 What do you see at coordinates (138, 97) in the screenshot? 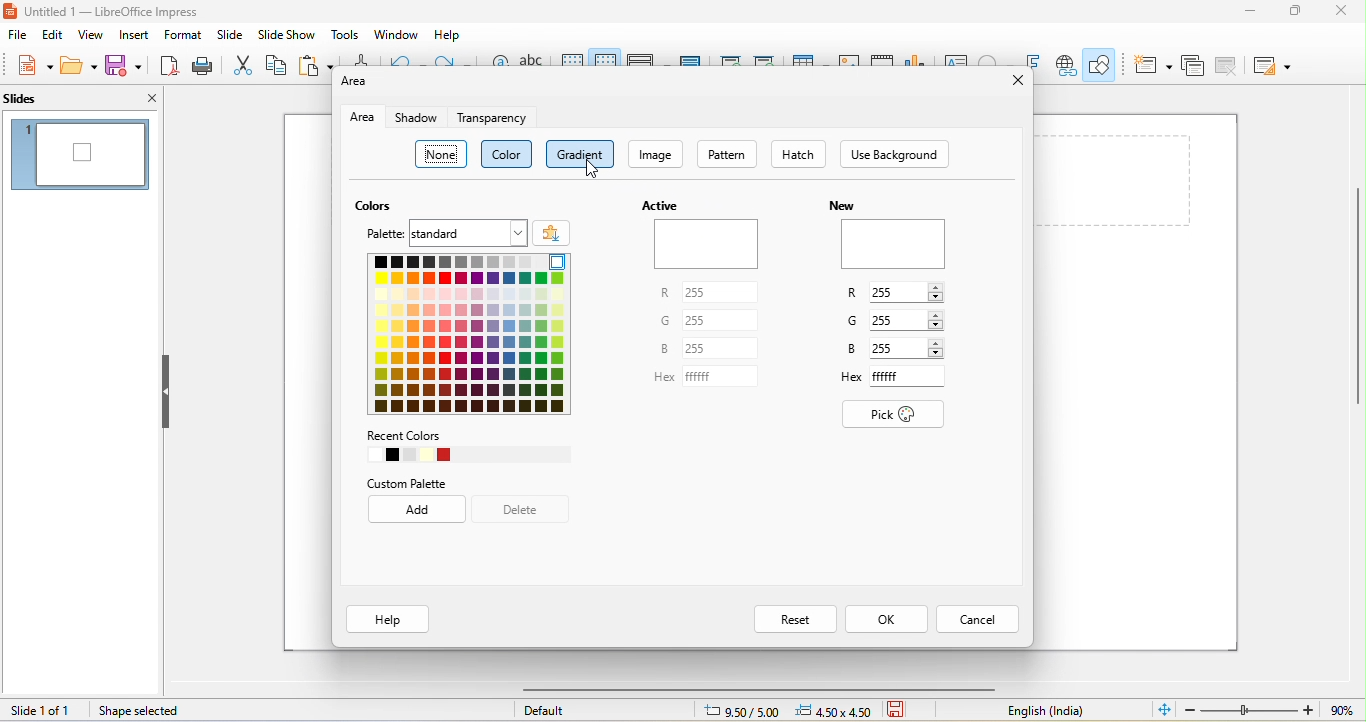
I see `close` at bounding box center [138, 97].